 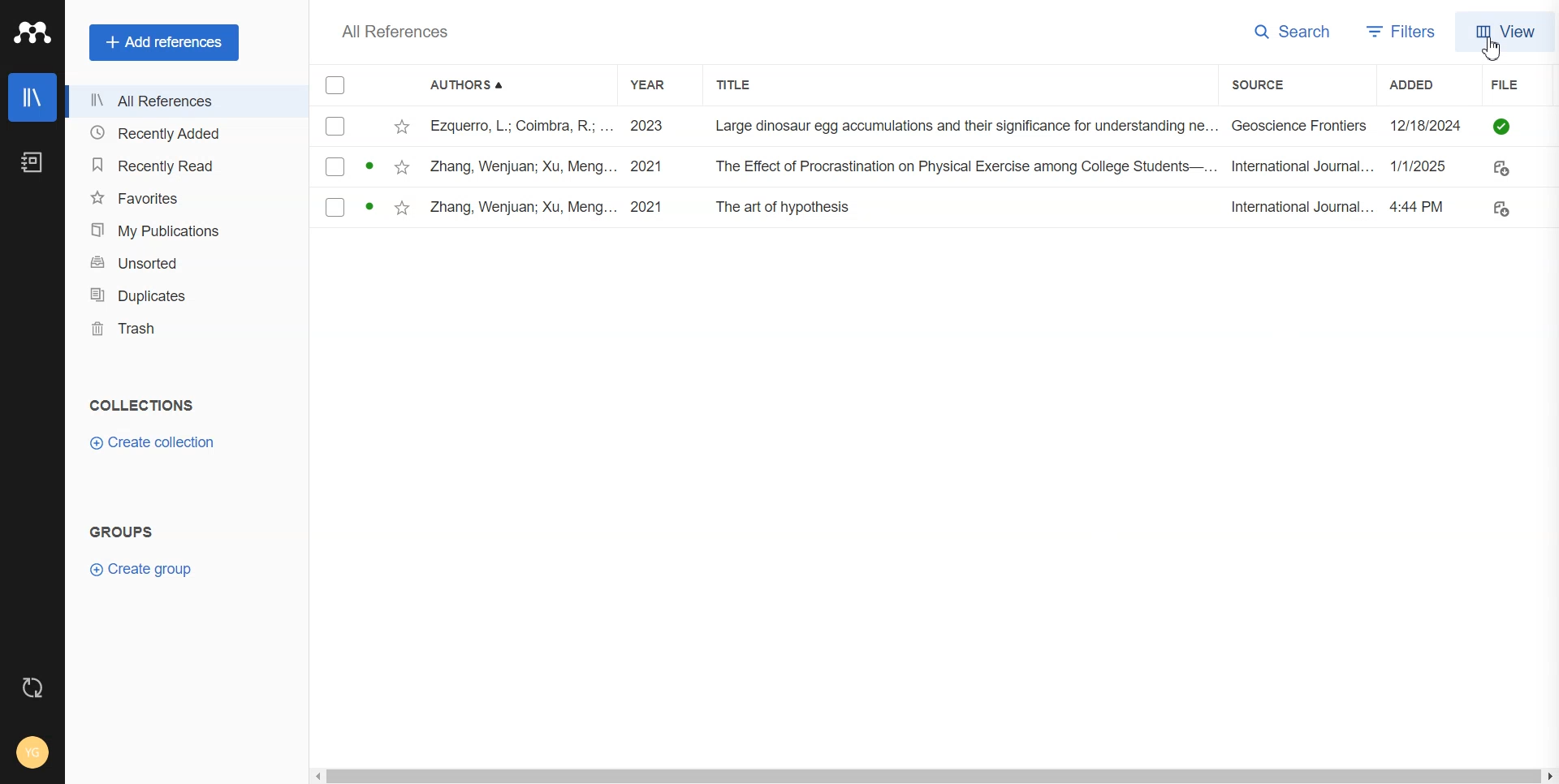 I want to click on Duplicates, so click(x=174, y=295).